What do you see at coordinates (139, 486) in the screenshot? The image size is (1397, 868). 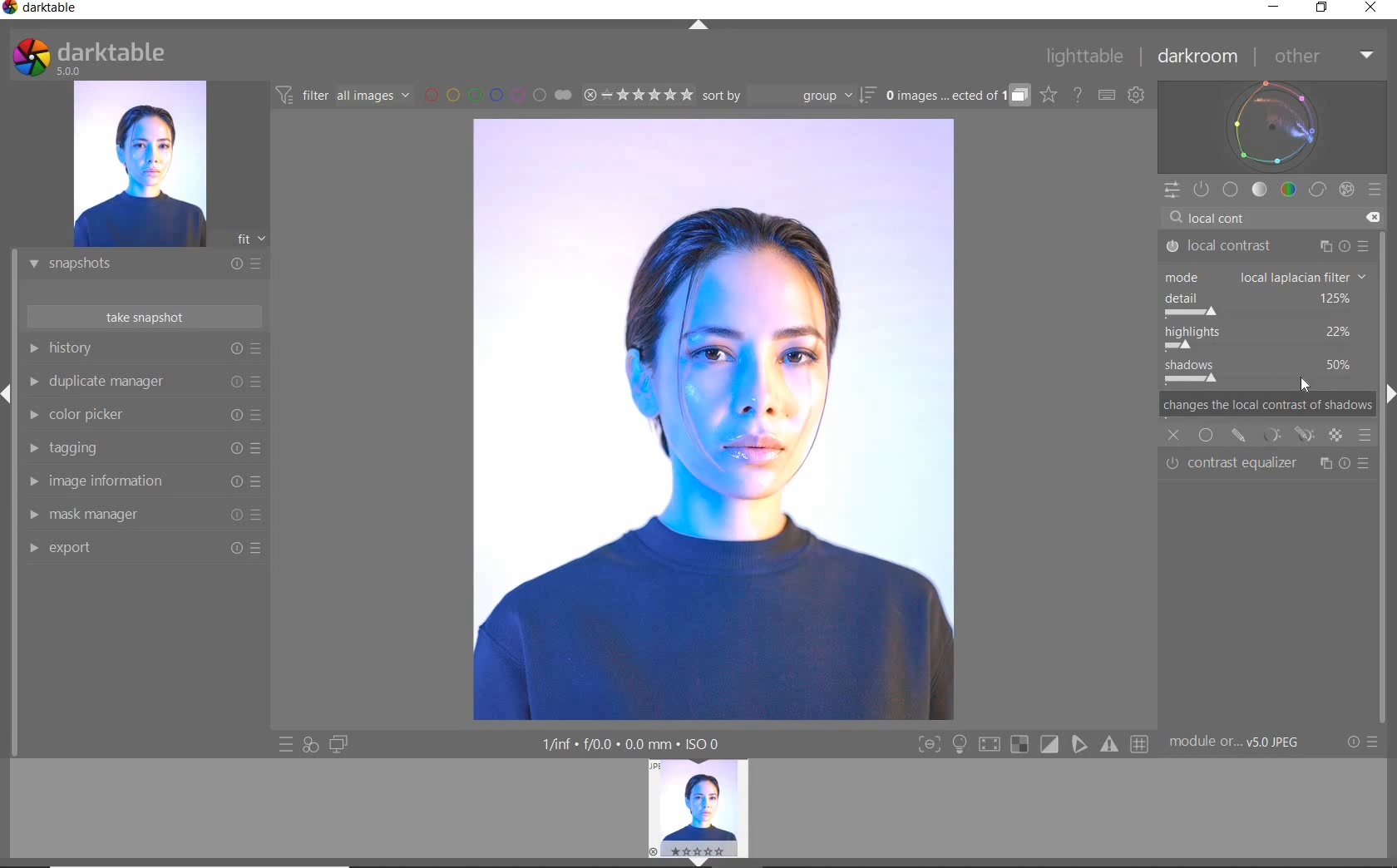 I see `IMAGE INFORMATION` at bounding box center [139, 486].